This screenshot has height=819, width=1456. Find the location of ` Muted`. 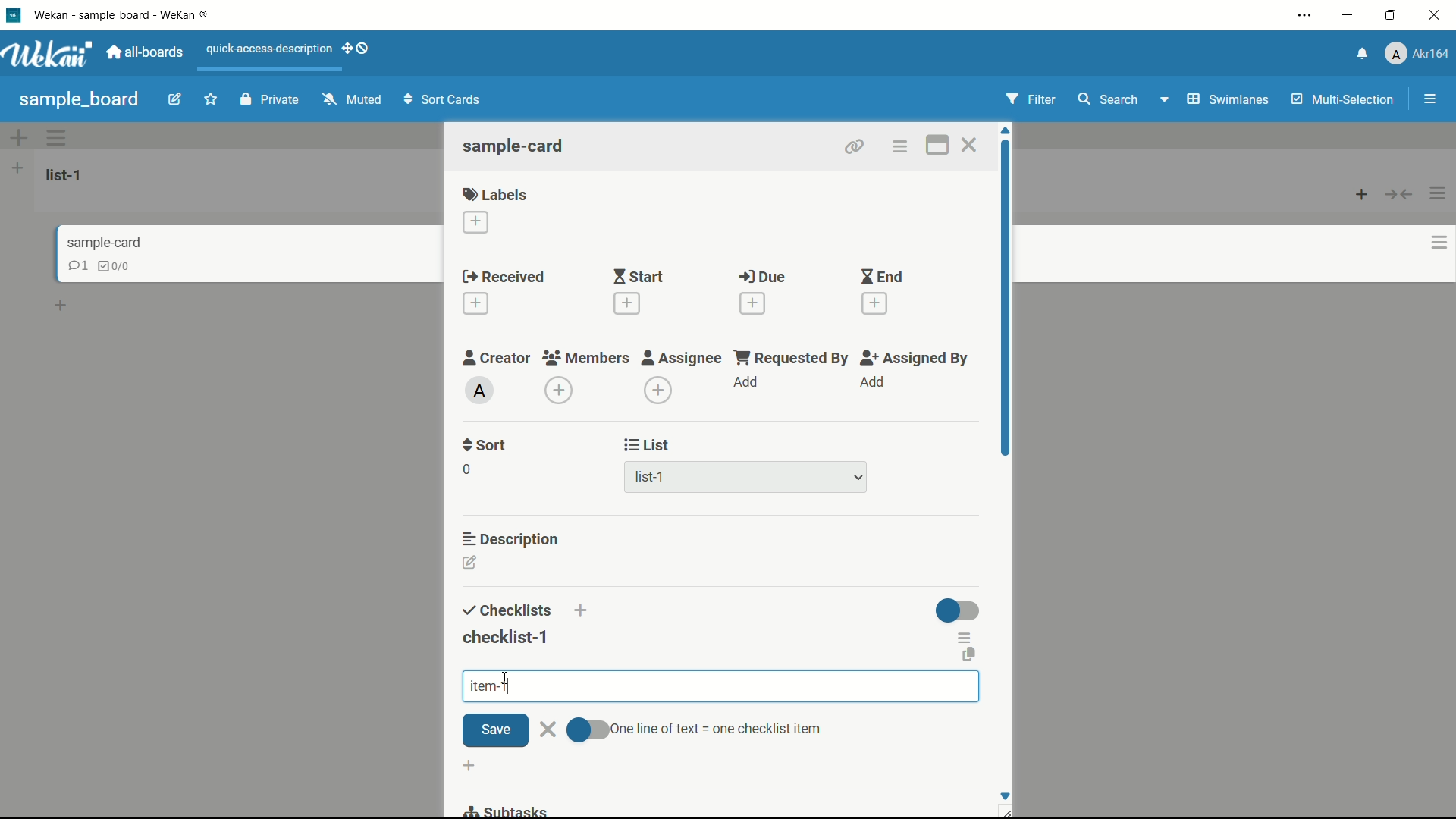

 Muted is located at coordinates (353, 99).